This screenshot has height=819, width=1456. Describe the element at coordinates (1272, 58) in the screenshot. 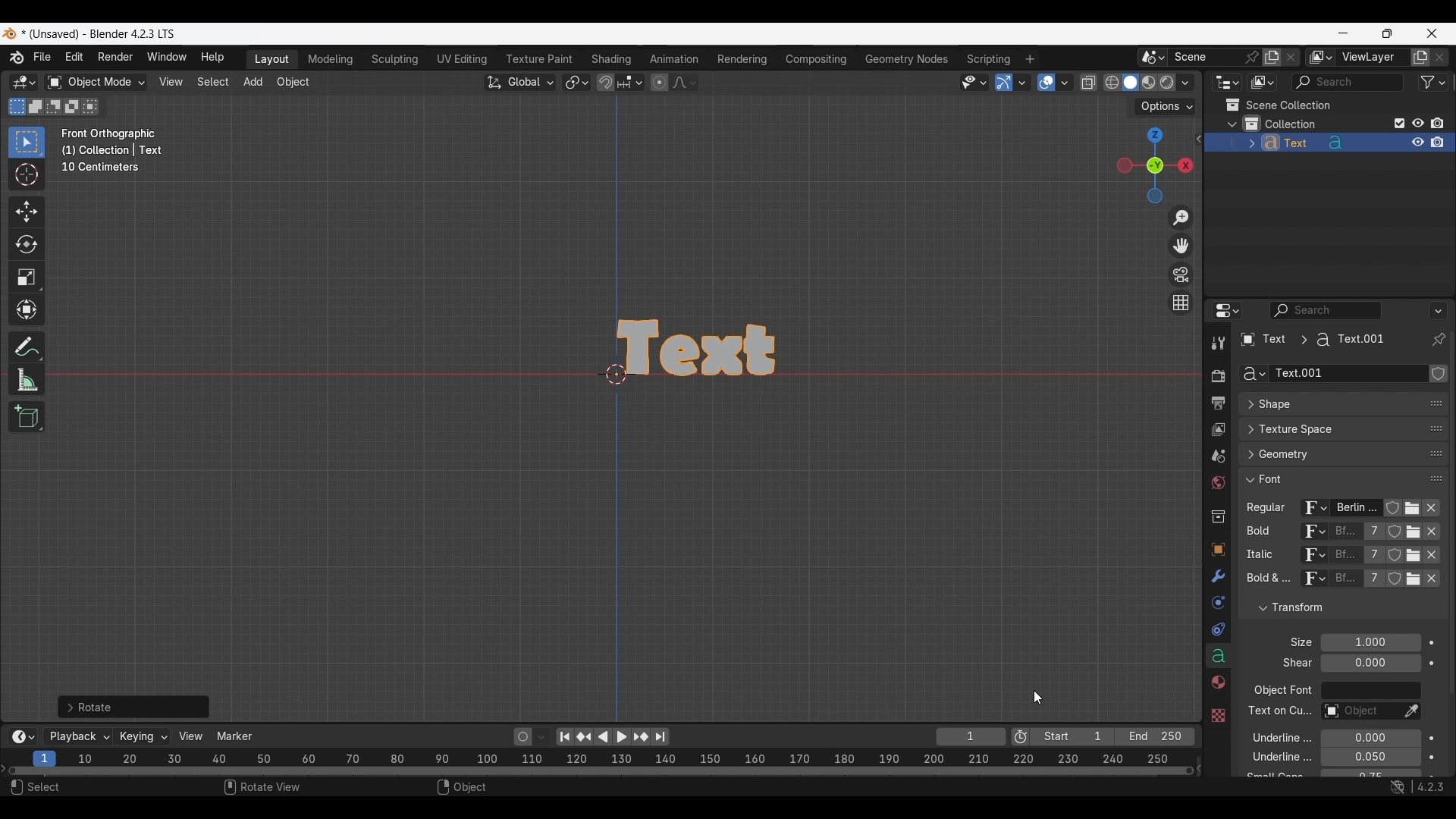

I see `Add new scene` at that location.